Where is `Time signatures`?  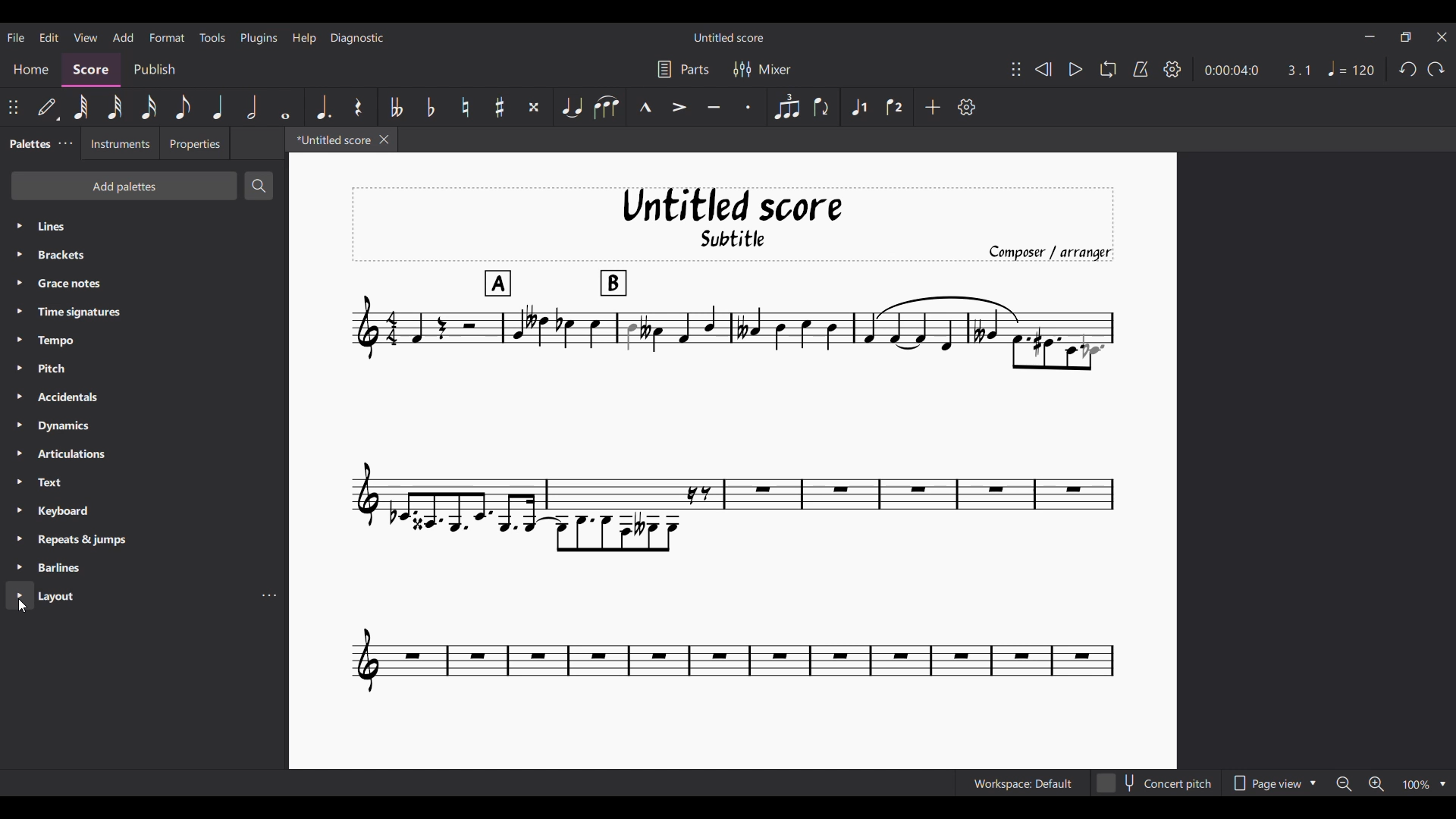 Time signatures is located at coordinates (145, 312).